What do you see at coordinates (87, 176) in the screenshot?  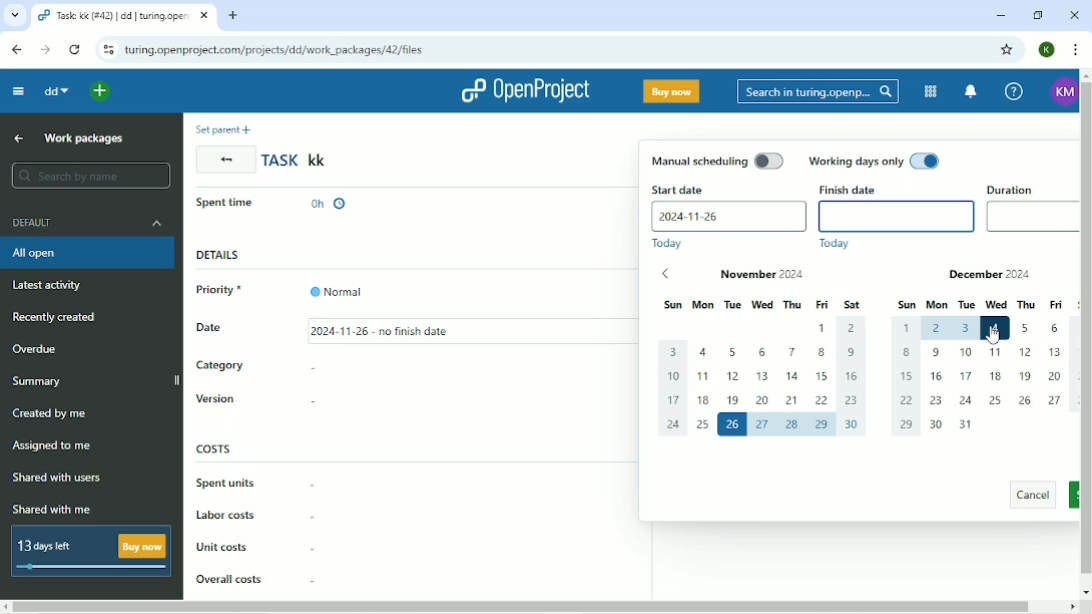 I see `Search by name` at bounding box center [87, 176].